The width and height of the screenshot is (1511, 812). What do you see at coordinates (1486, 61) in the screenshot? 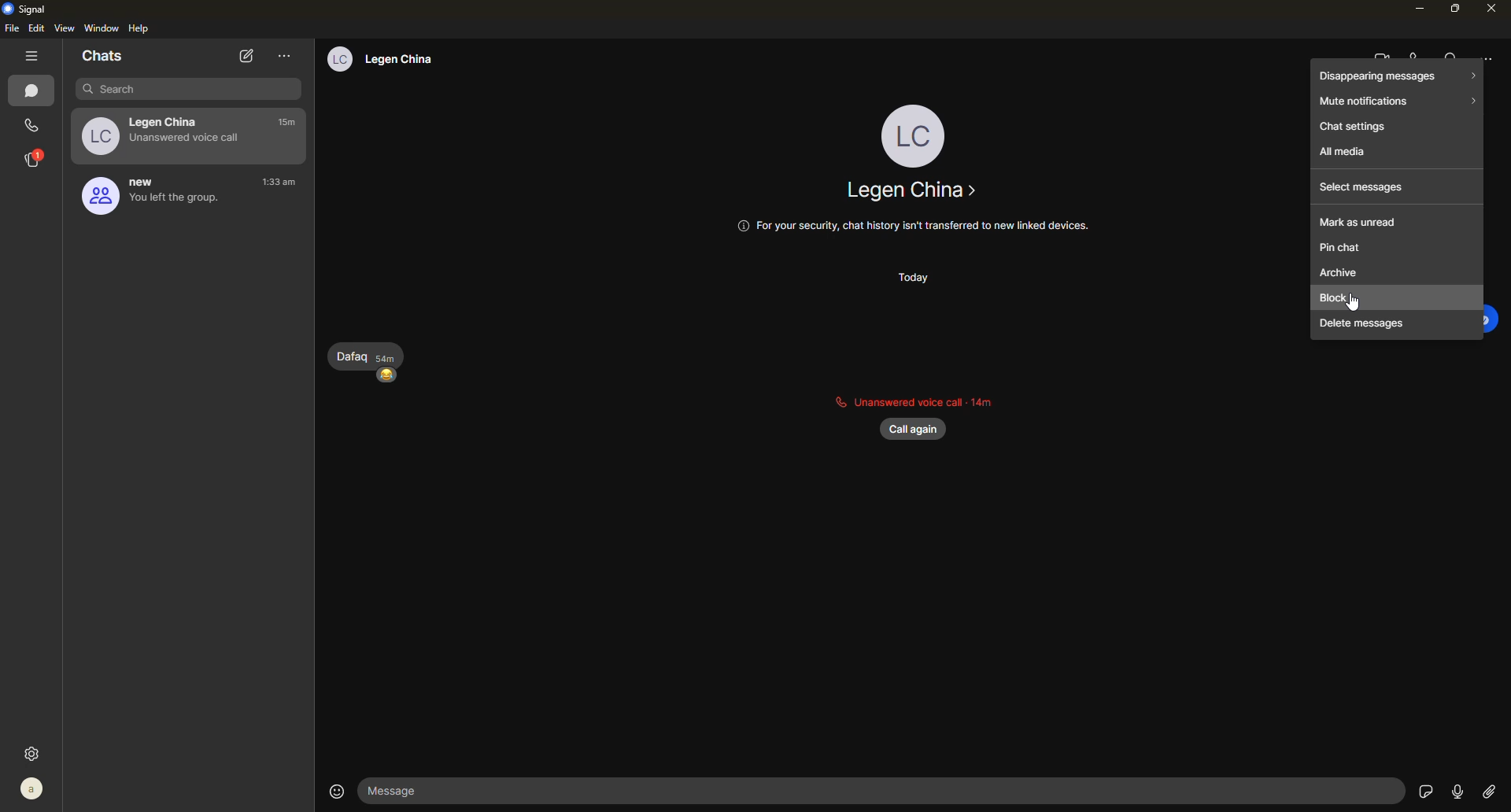
I see `more` at bounding box center [1486, 61].